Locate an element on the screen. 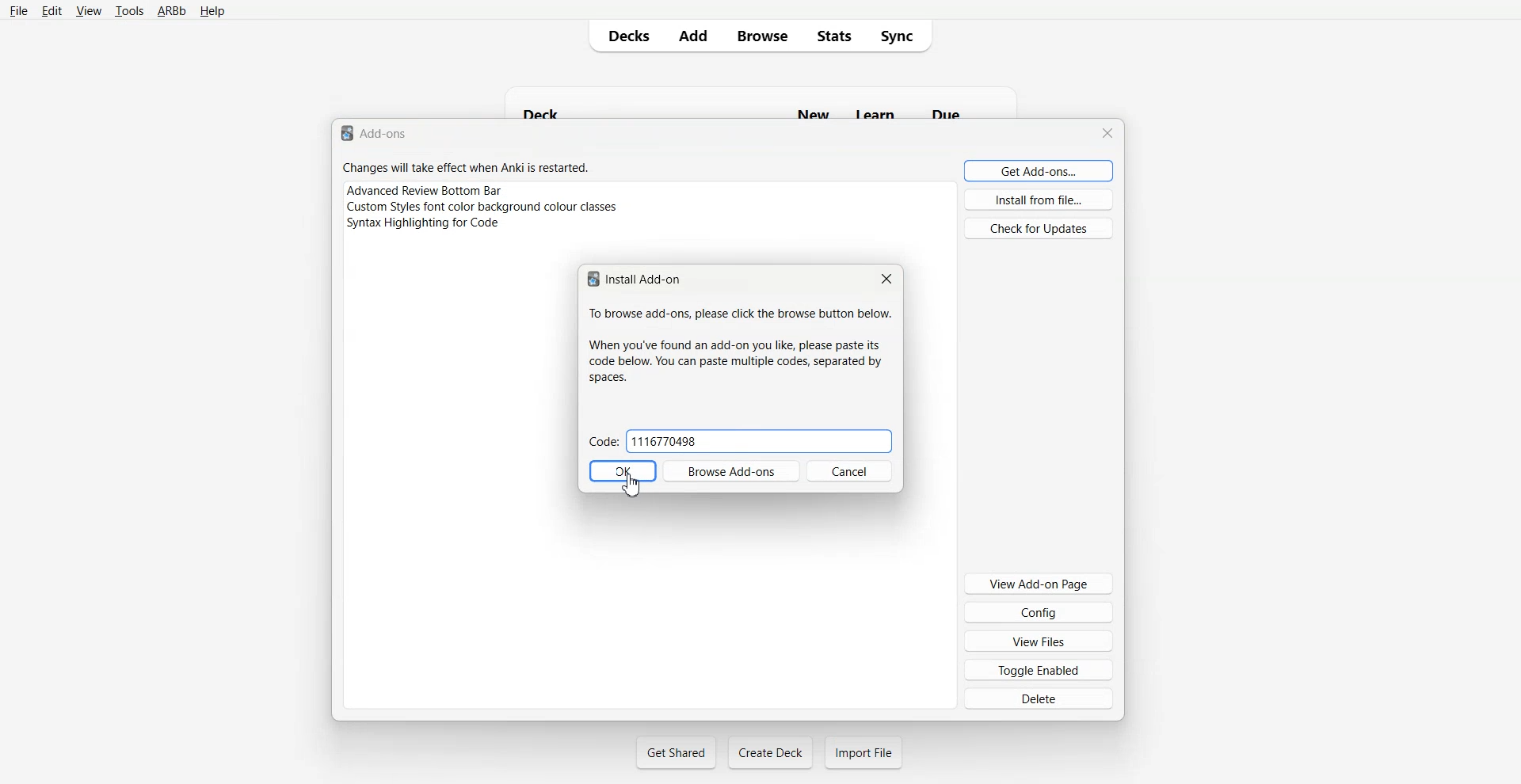 The height and width of the screenshot is (784, 1521). Edit is located at coordinates (52, 10).